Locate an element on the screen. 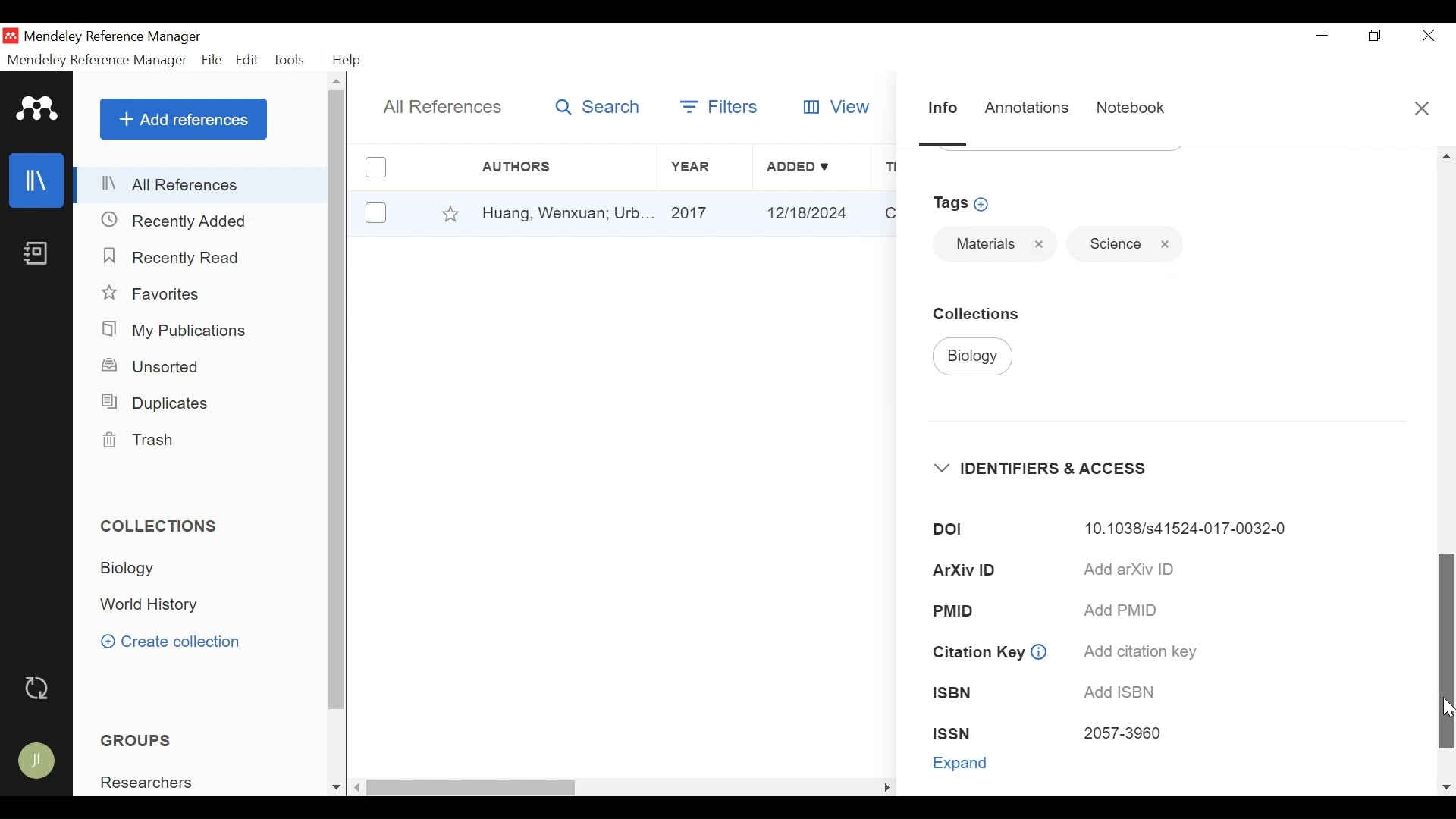 This screenshot has height=819, width=1456. Vertical Scroll bar is located at coordinates (472, 788).